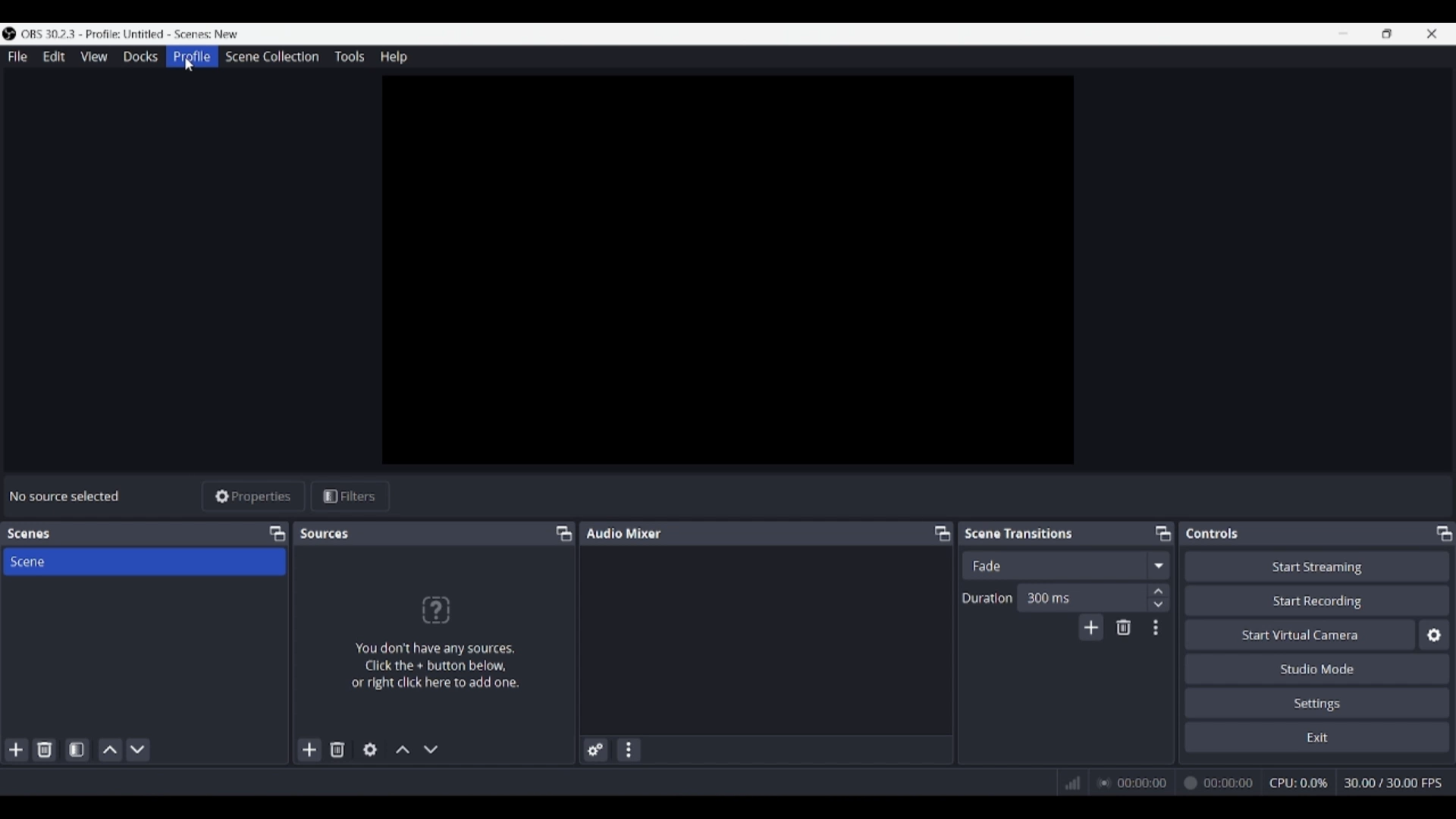  Describe the element at coordinates (310, 749) in the screenshot. I see `Add source` at that location.